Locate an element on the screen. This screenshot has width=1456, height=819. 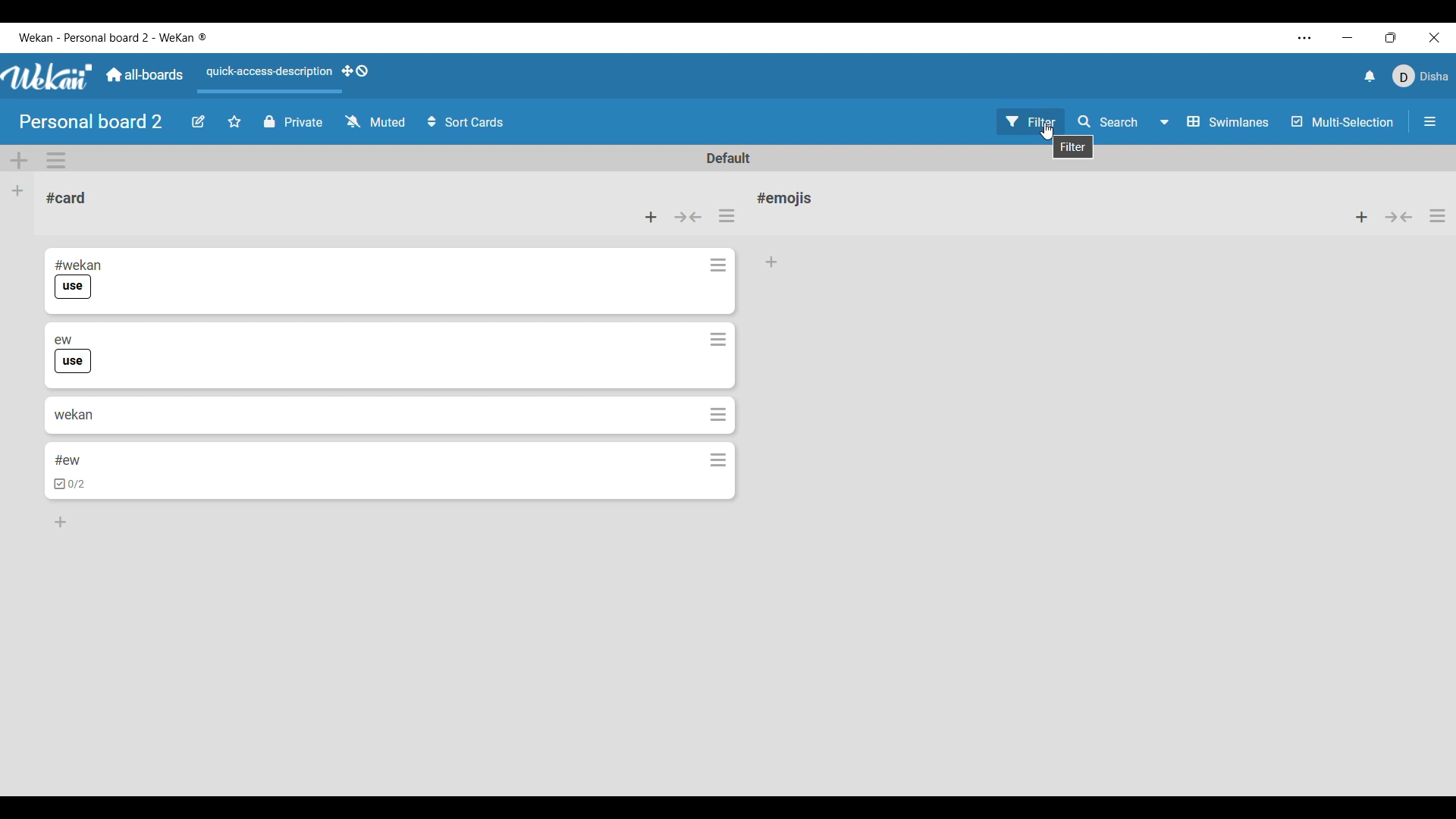
Watch options is located at coordinates (375, 121).